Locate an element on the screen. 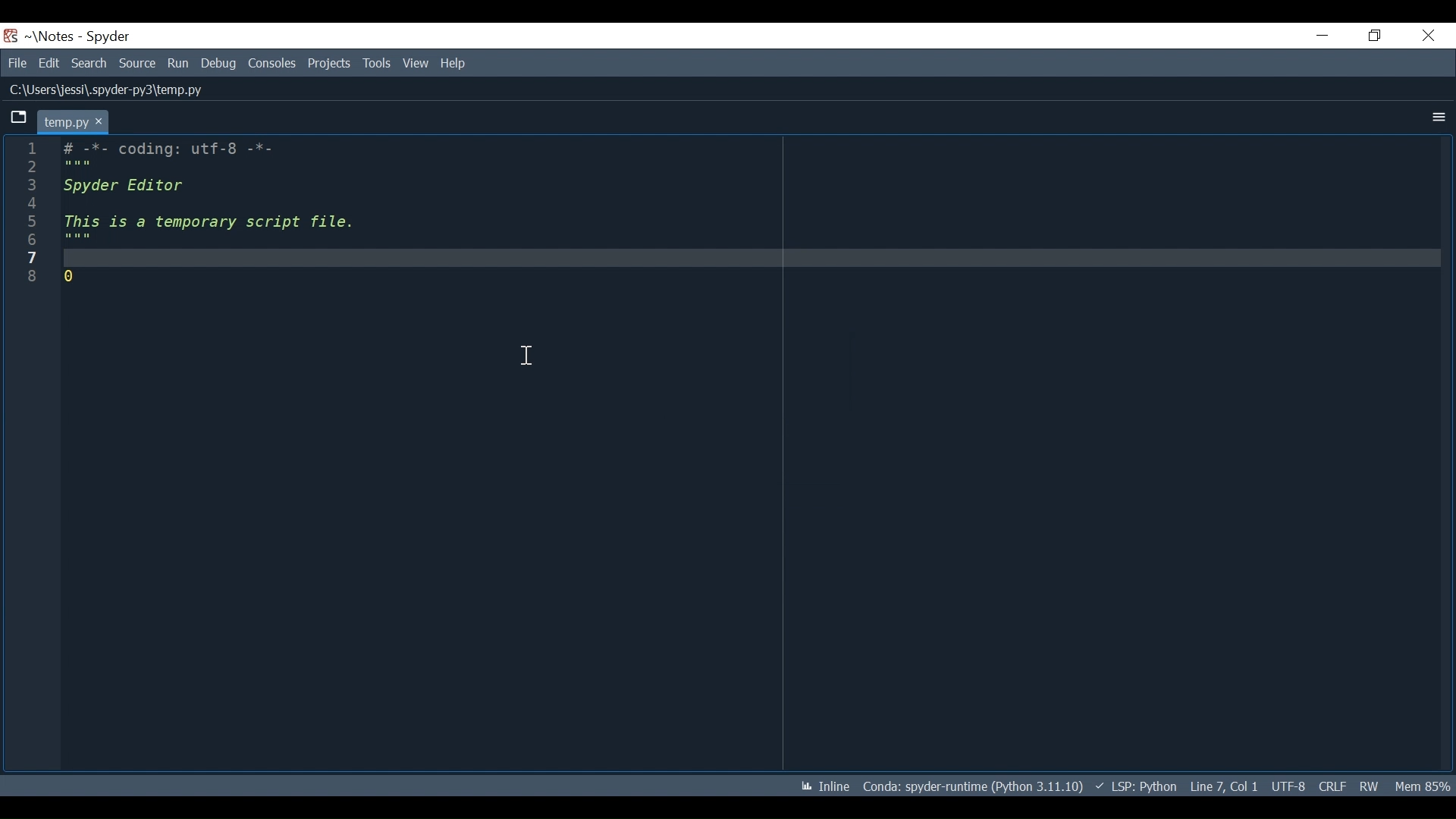  View is located at coordinates (416, 63).